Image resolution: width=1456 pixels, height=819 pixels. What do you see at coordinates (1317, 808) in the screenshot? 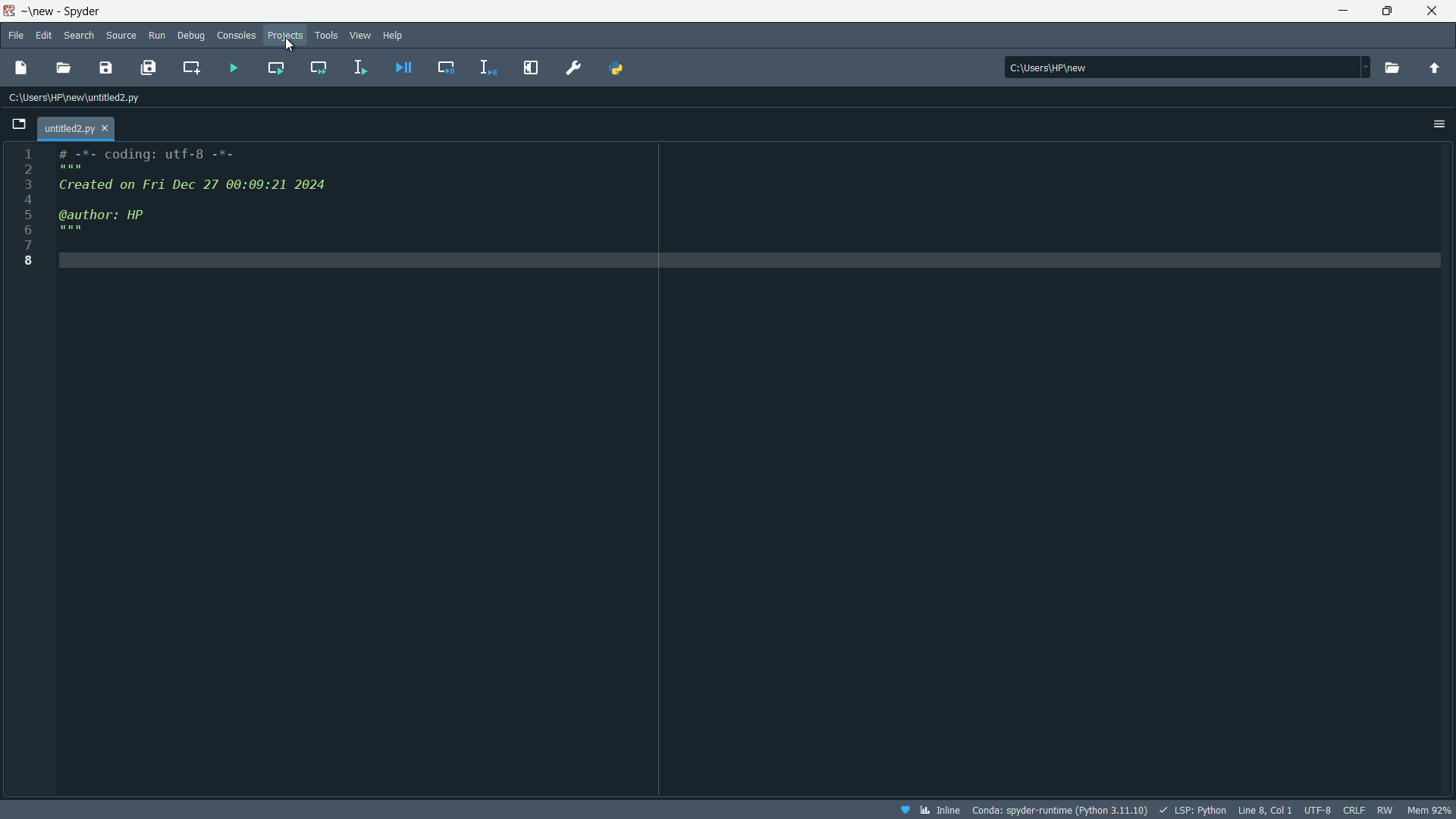
I see `file encoding` at bounding box center [1317, 808].